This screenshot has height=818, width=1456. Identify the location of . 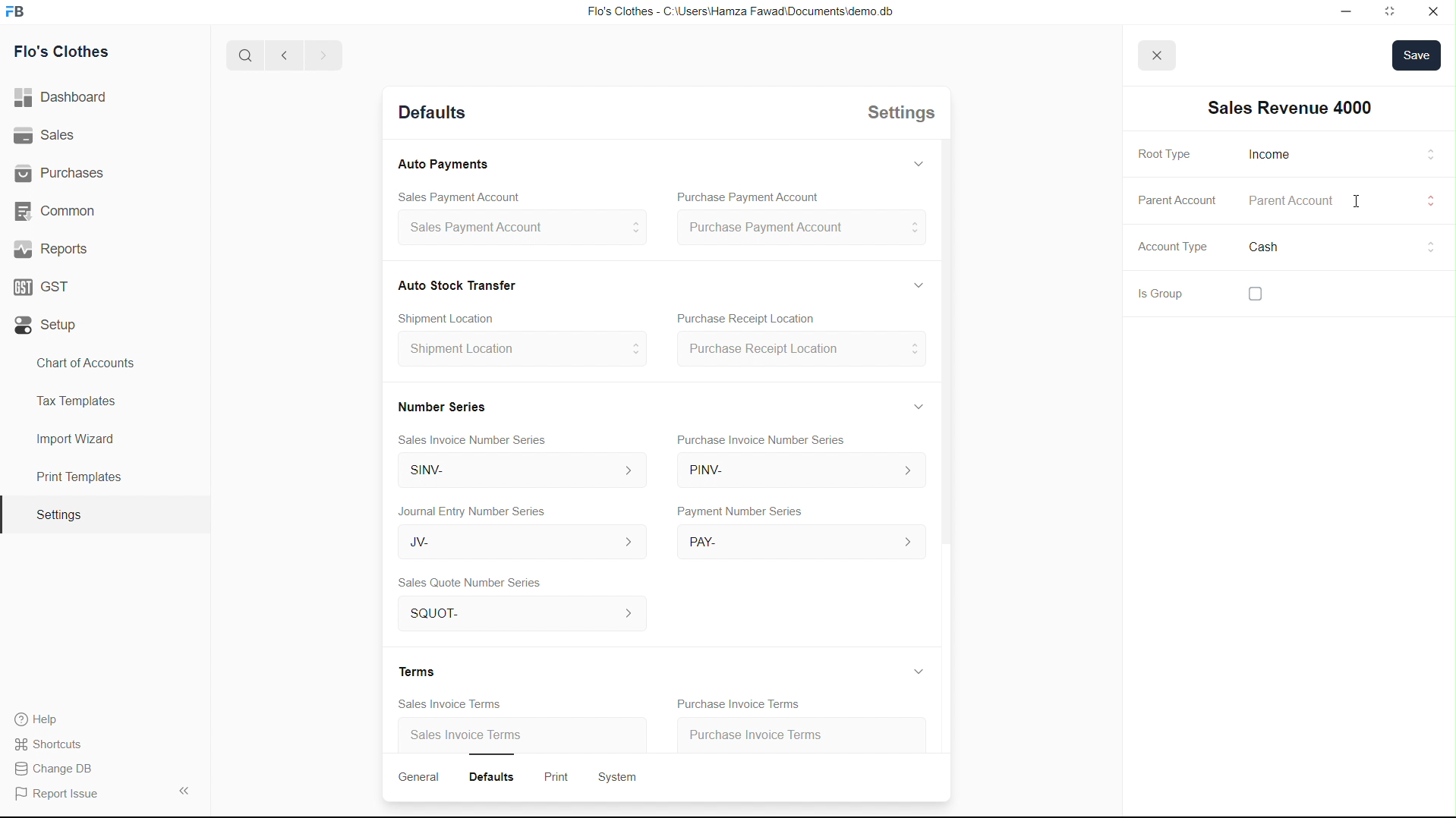
(1426, 201).